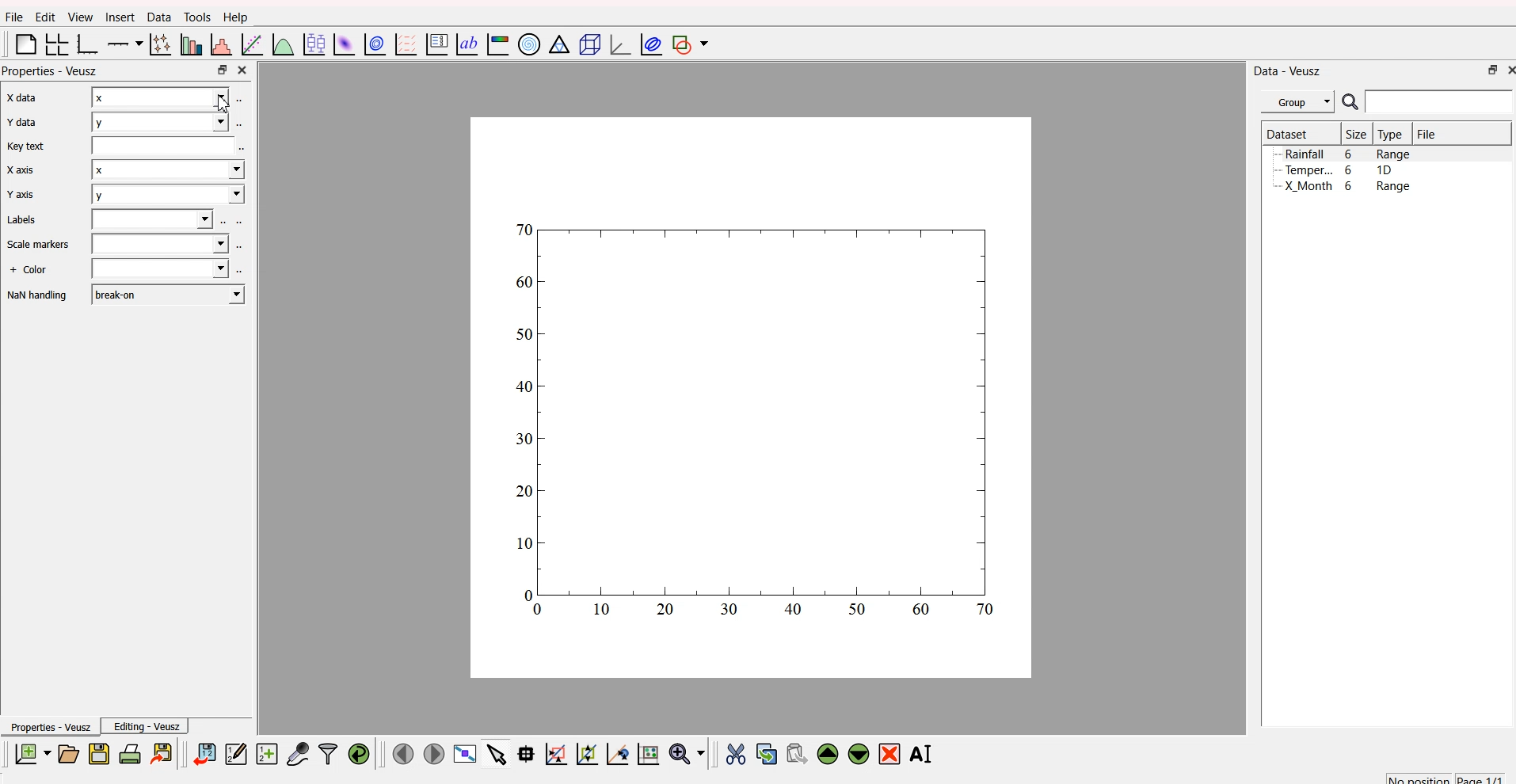 This screenshot has width=1516, height=784. What do you see at coordinates (158, 44) in the screenshot?
I see `plot points` at bounding box center [158, 44].